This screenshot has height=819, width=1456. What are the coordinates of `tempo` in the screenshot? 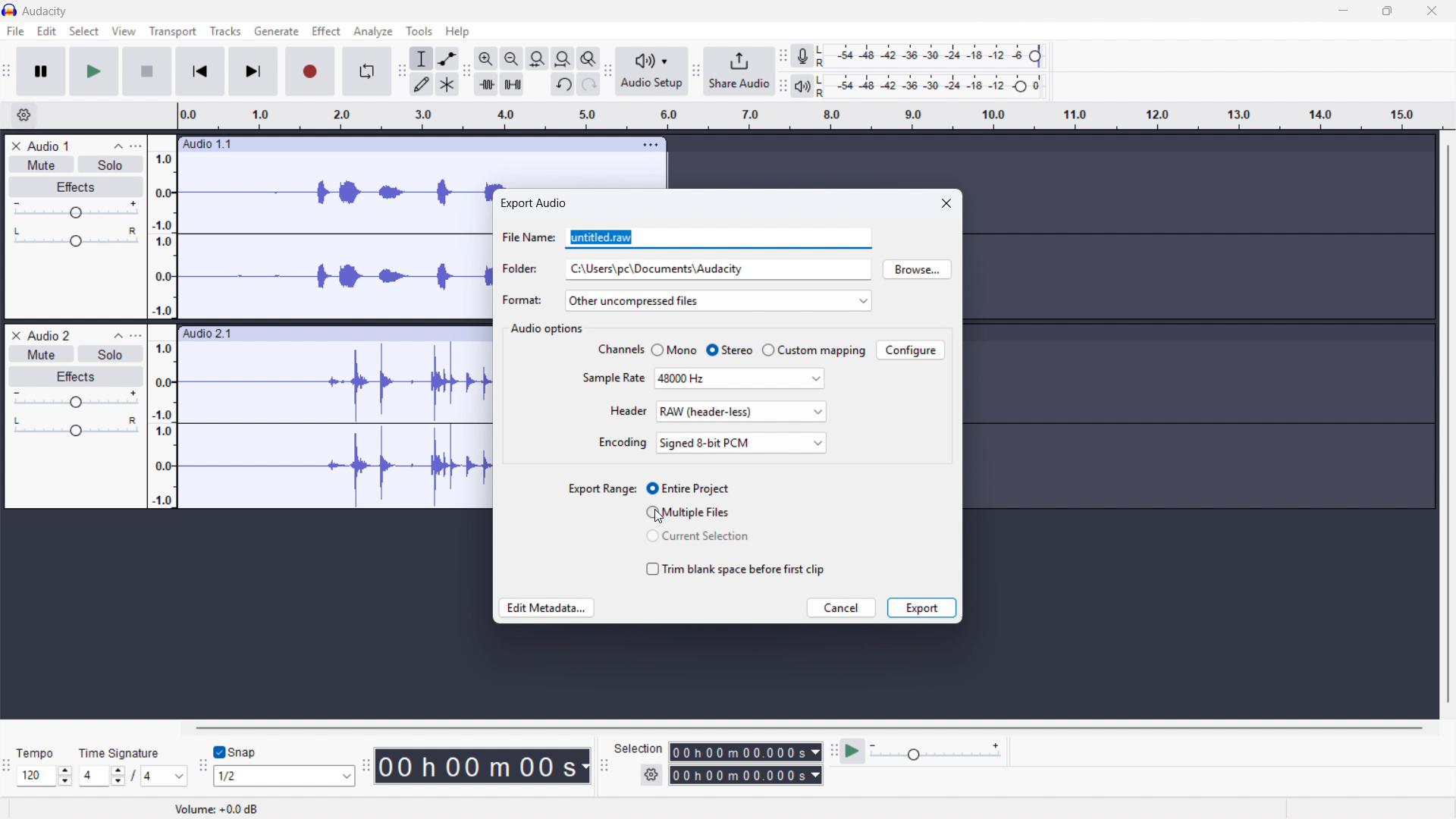 It's located at (39, 754).